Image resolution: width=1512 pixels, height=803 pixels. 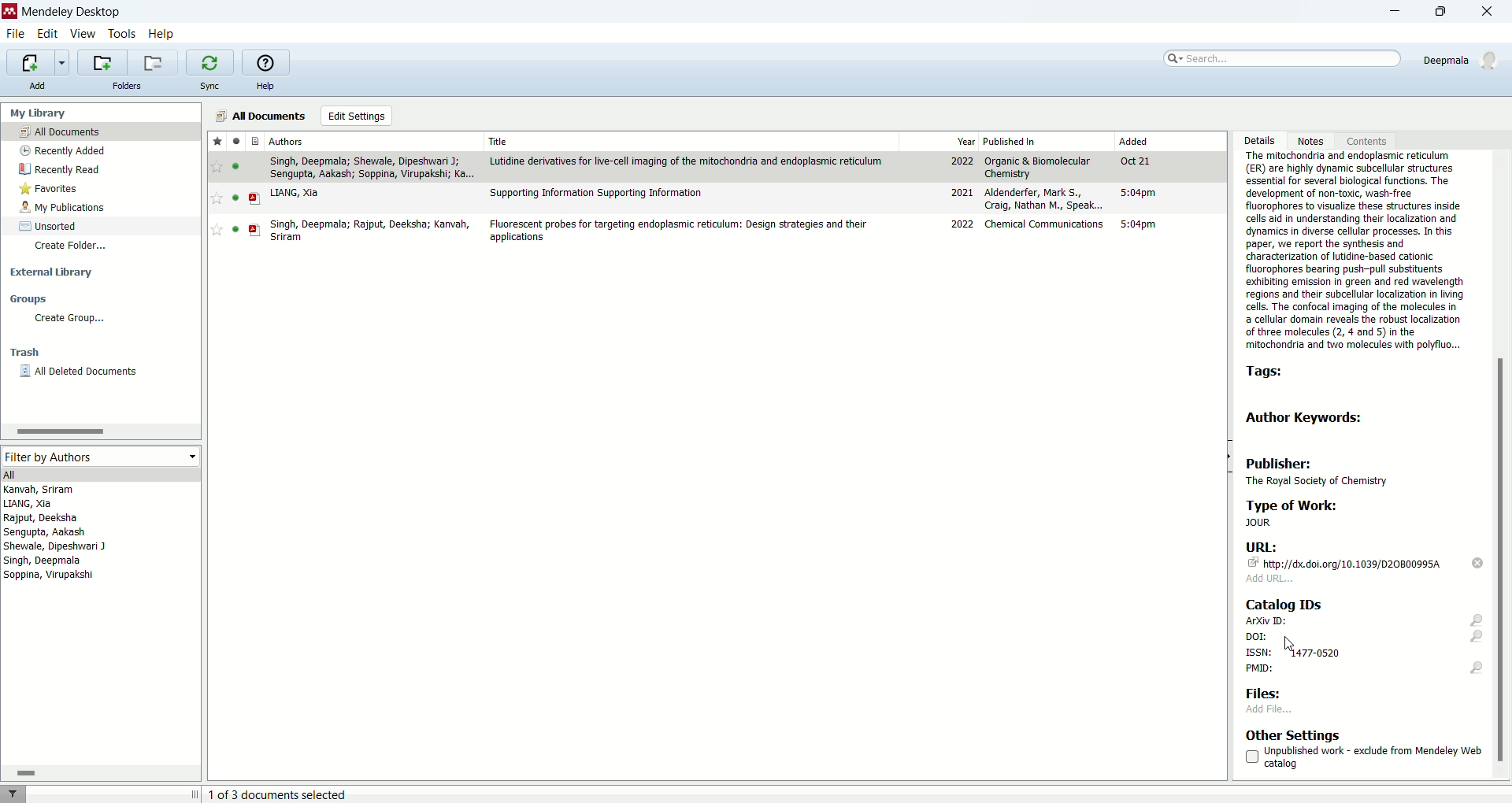 What do you see at coordinates (287, 141) in the screenshot?
I see `authors` at bounding box center [287, 141].